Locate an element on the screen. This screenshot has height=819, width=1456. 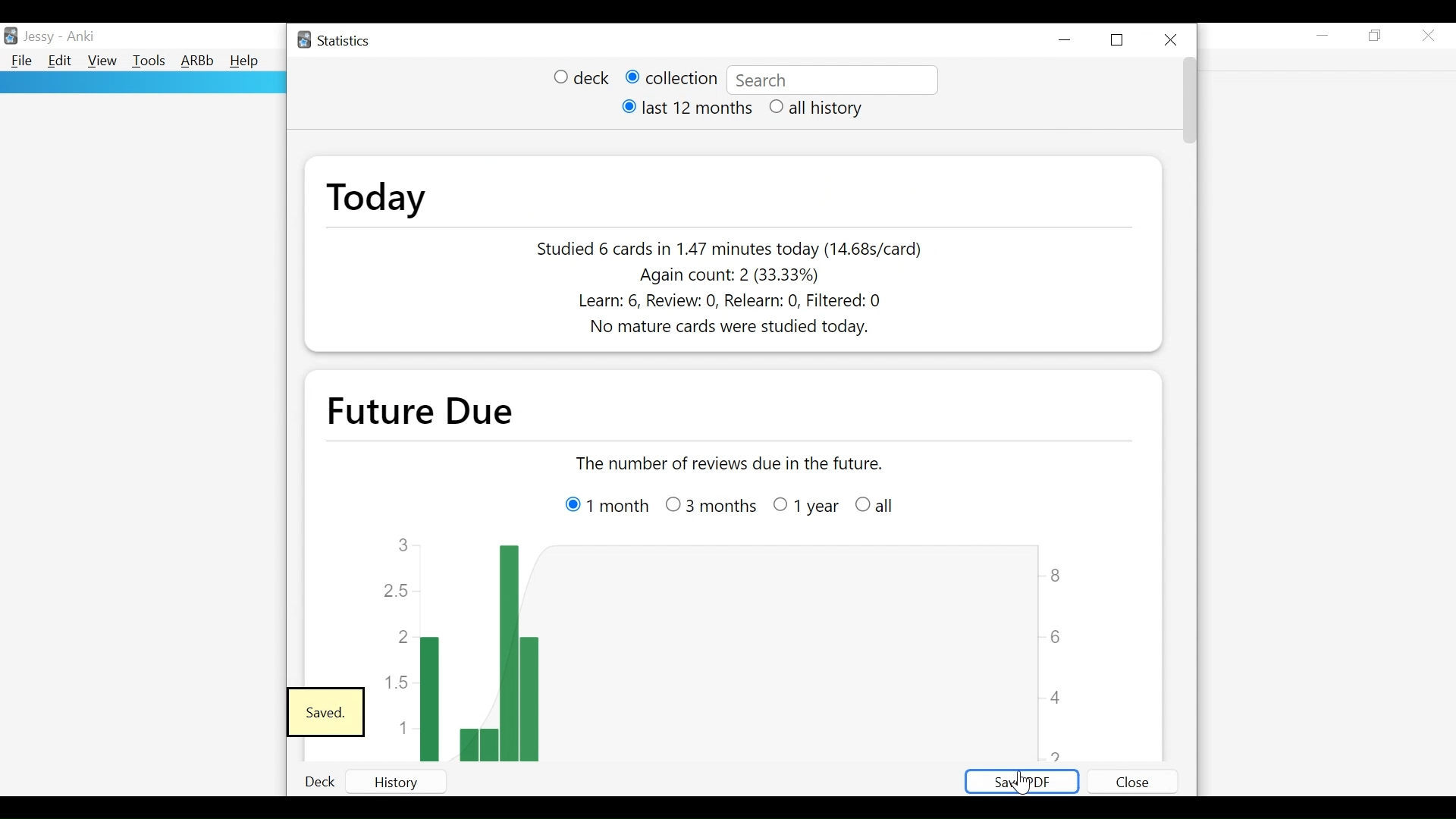
Statistics is located at coordinates (336, 41).